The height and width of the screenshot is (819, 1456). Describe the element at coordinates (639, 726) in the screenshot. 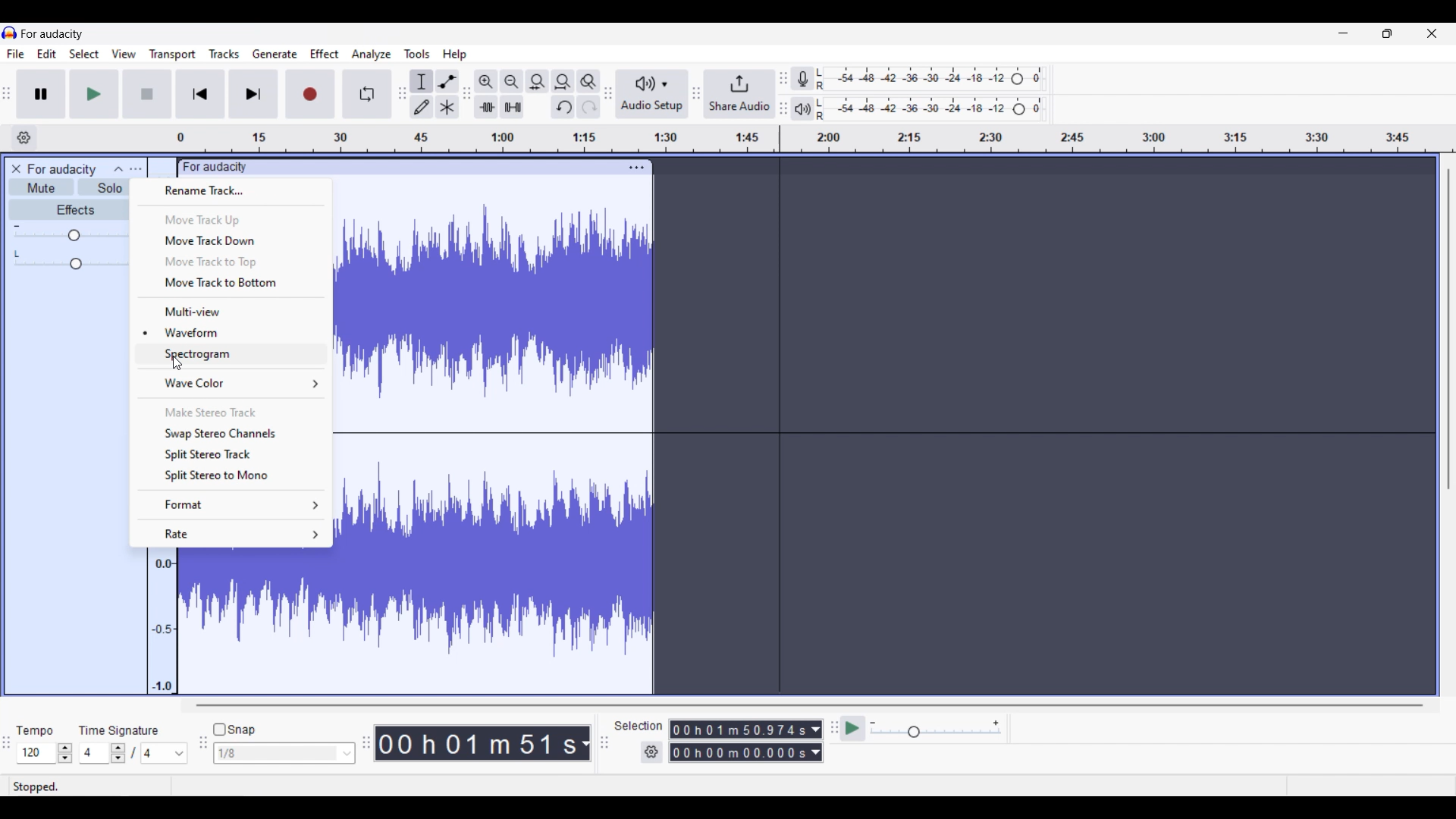

I see `Indicates selection duration settings` at that location.